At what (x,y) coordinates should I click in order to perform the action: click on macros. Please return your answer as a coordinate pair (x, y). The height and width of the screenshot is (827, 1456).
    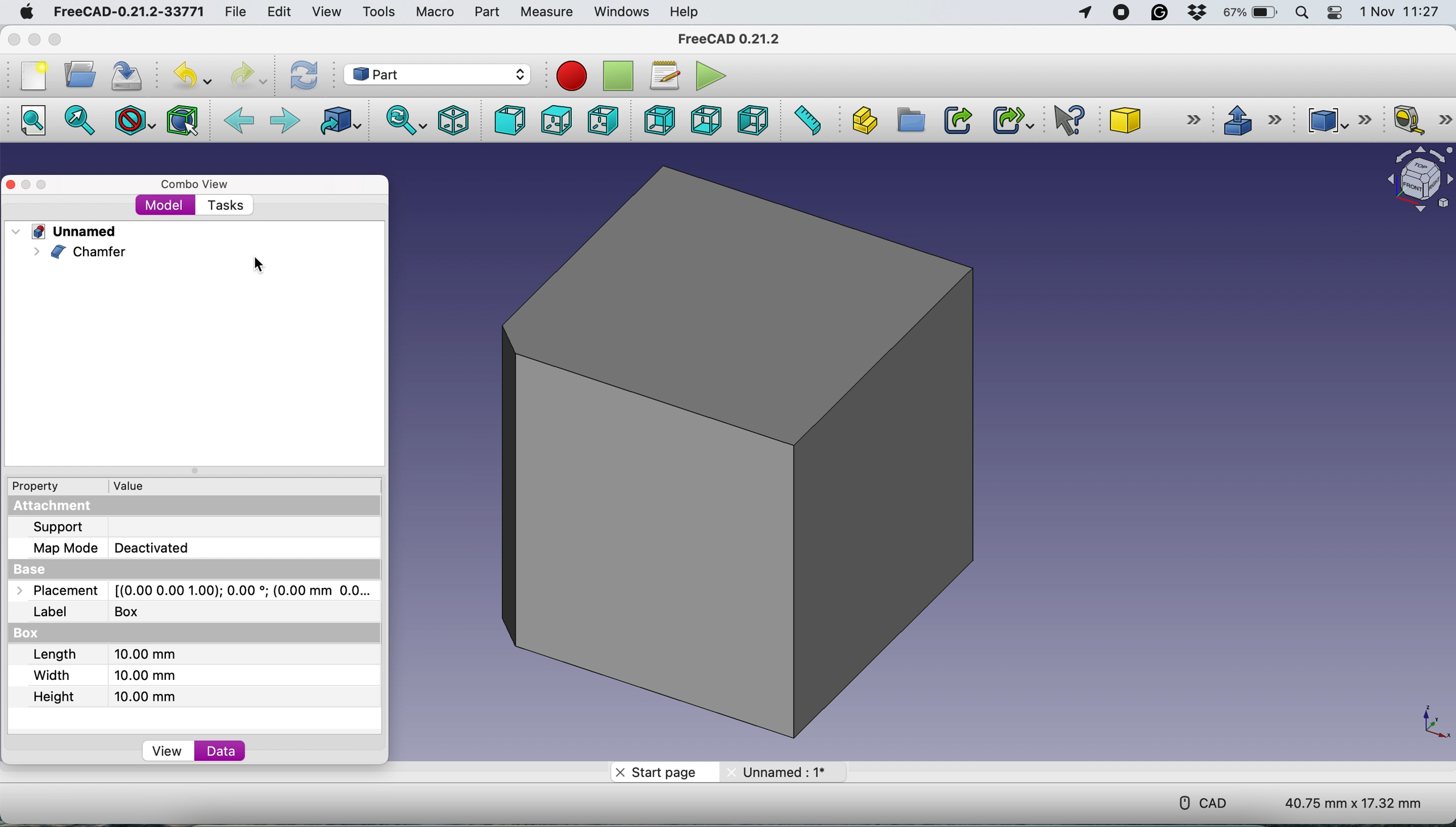
    Looking at the image, I should click on (662, 73).